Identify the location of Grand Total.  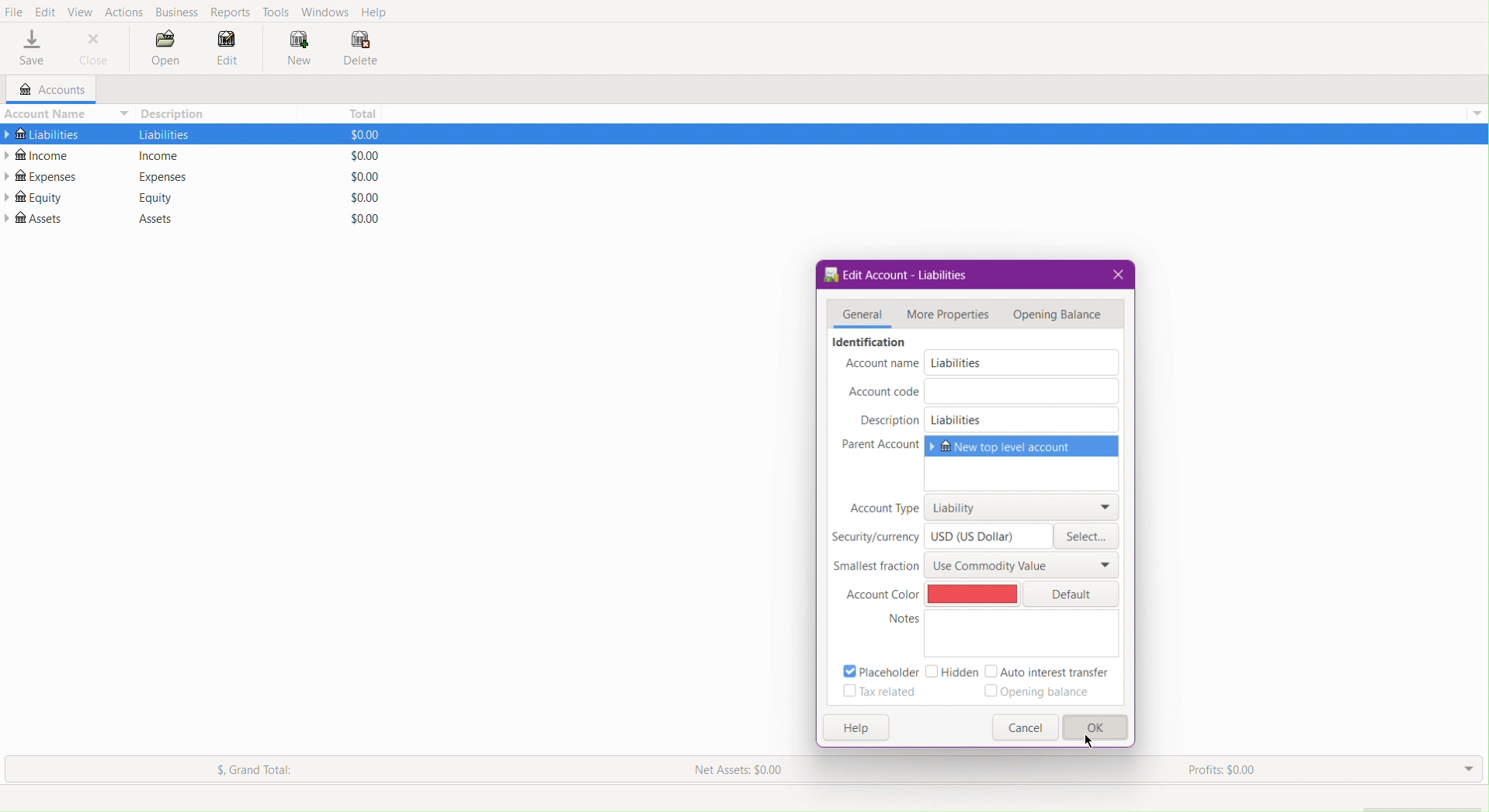
(256, 769).